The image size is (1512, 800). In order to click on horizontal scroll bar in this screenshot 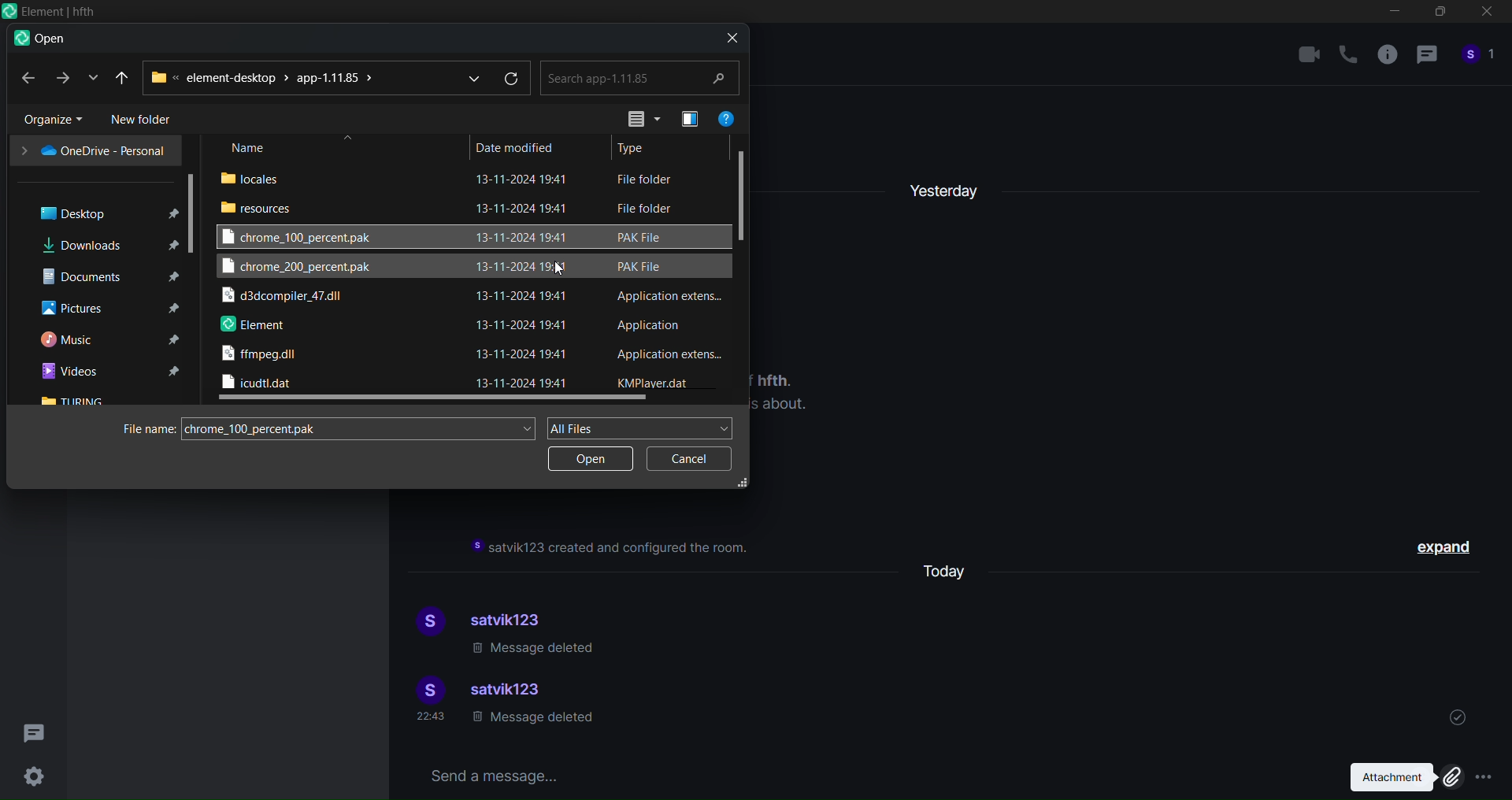, I will do `click(434, 400)`.